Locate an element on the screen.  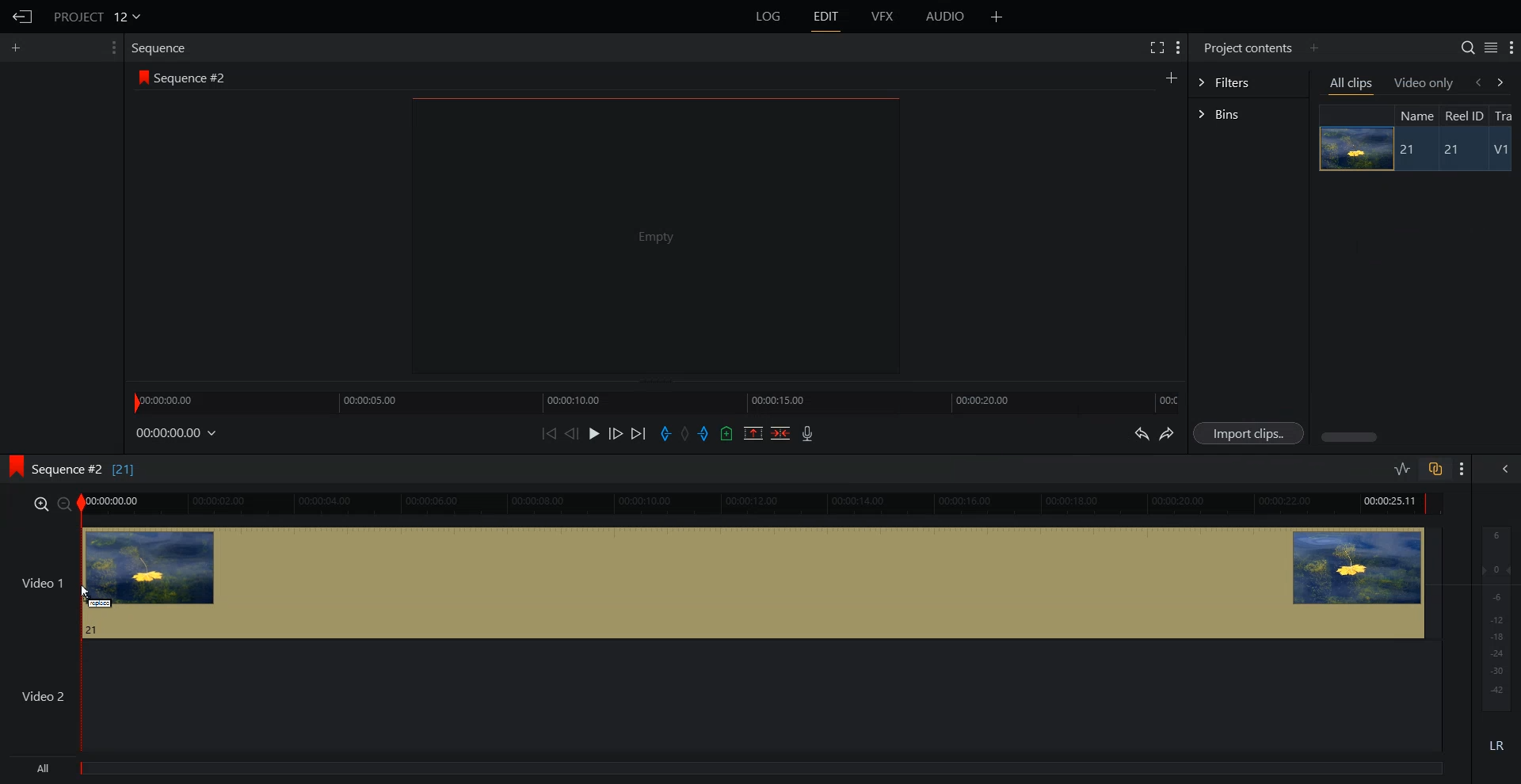
Redo is located at coordinates (1167, 433).